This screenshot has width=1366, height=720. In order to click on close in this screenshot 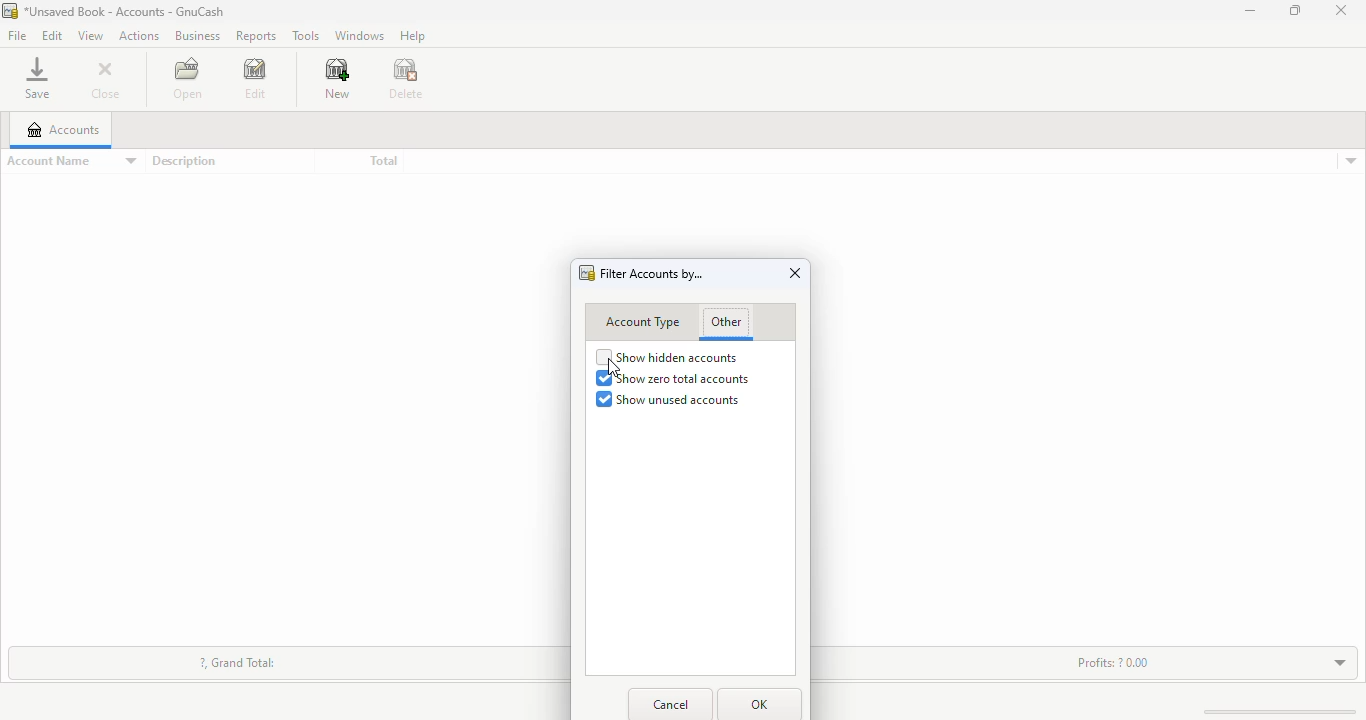, I will do `click(796, 273)`.